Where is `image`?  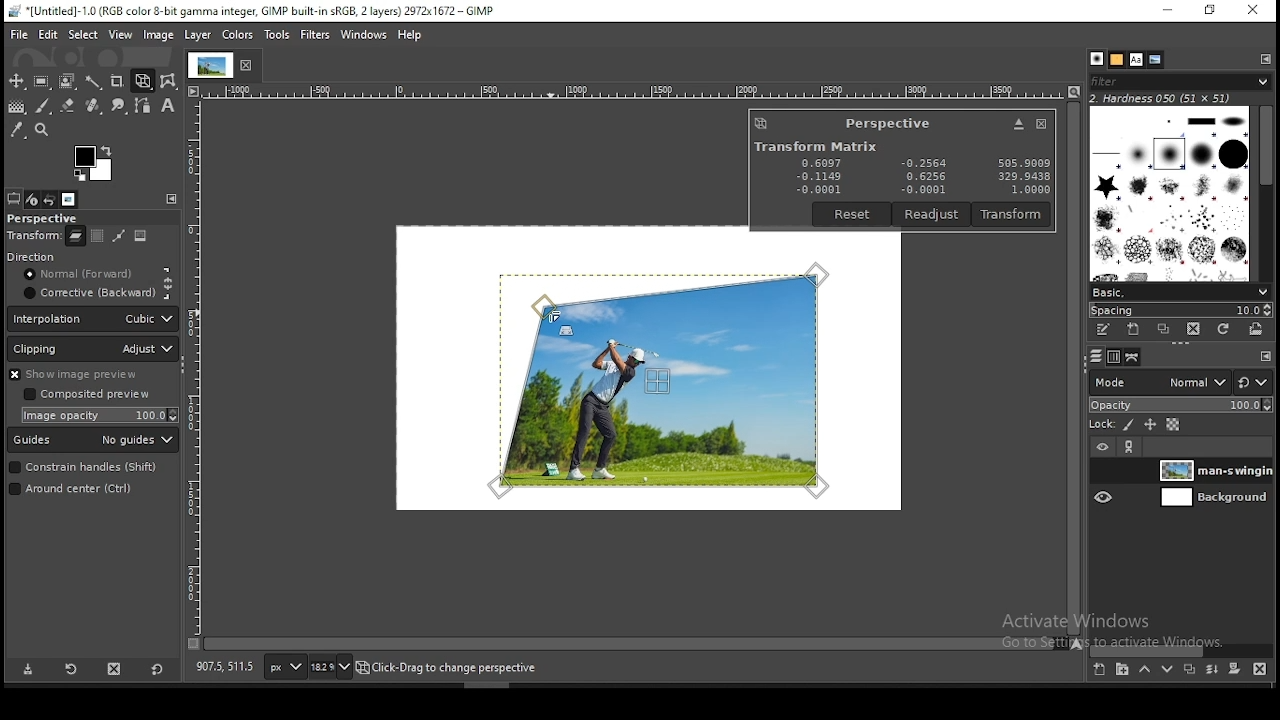 image is located at coordinates (664, 378).